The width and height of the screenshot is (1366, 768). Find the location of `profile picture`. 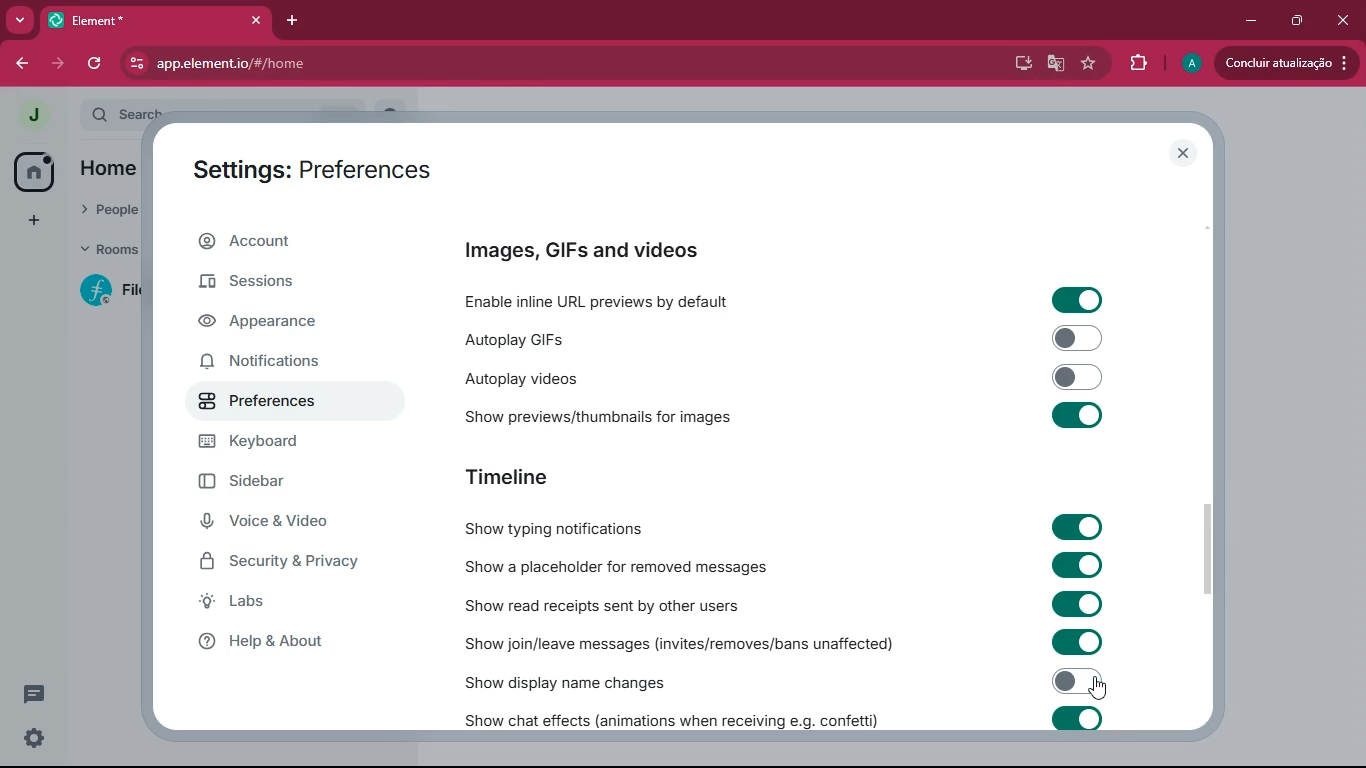

profile picture is located at coordinates (32, 116).